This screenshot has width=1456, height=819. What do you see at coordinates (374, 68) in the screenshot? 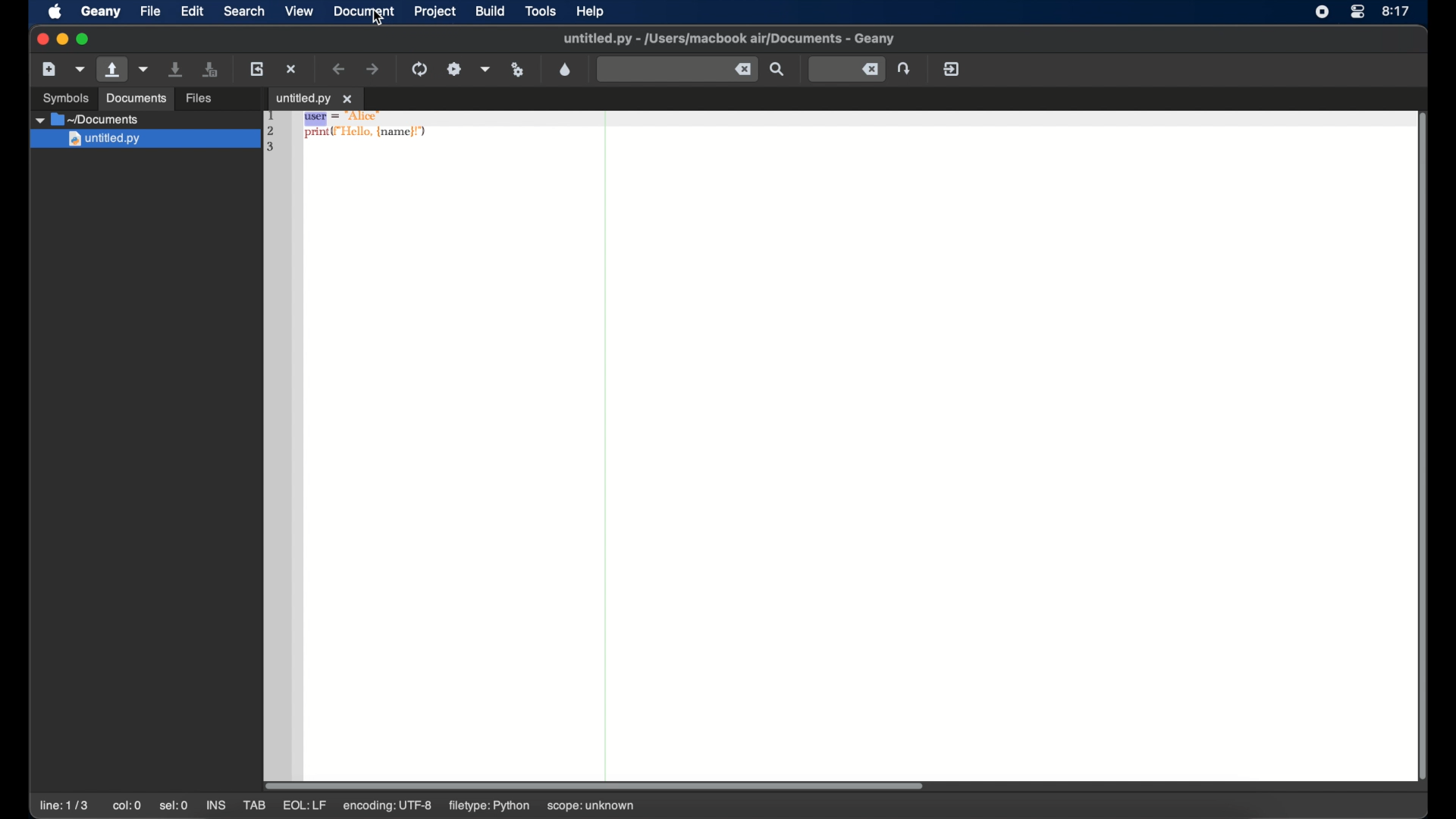
I see `navigate forward a location` at bounding box center [374, 68].